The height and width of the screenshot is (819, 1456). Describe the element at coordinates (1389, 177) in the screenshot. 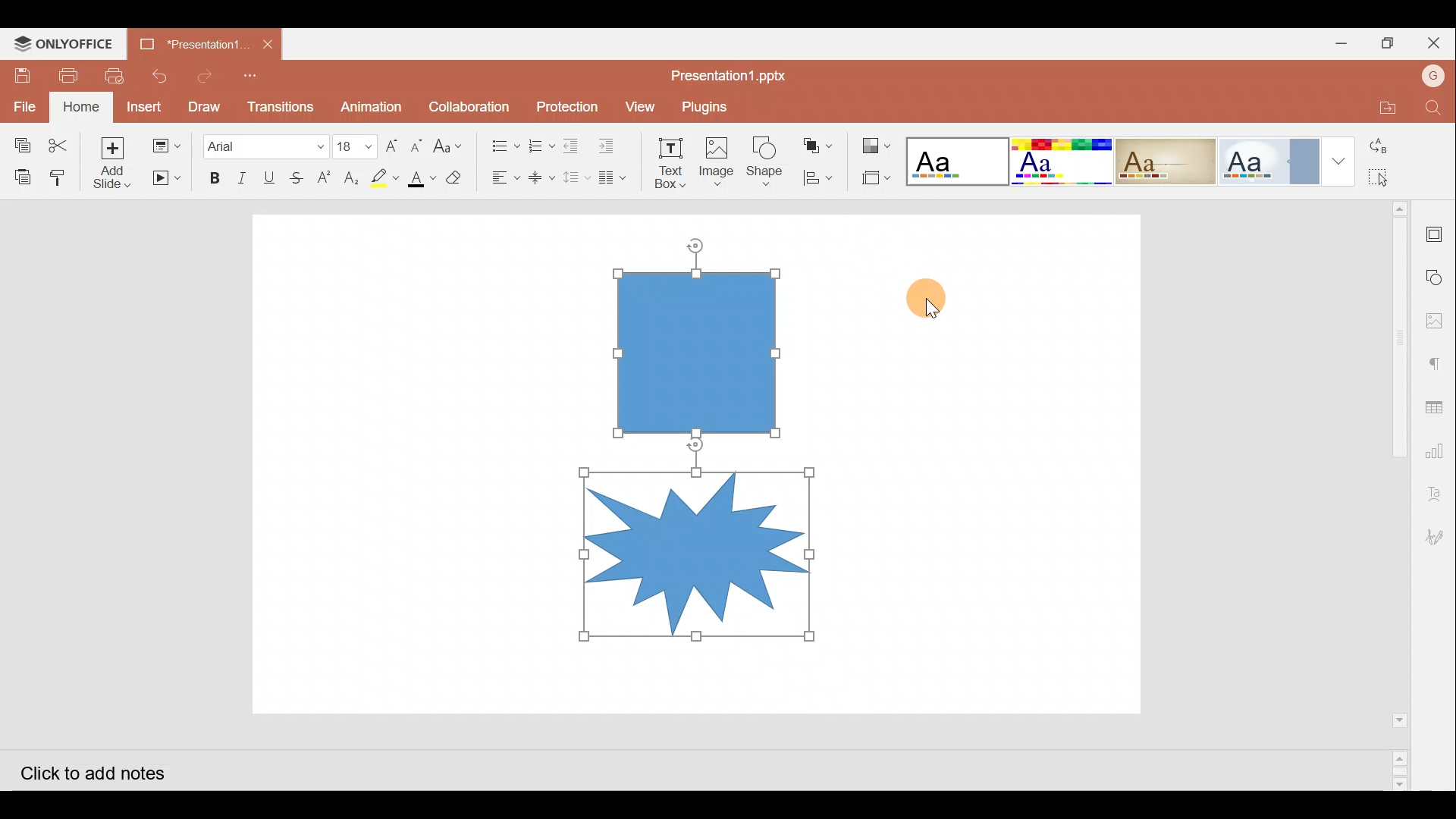

I see `Select all` at that location.